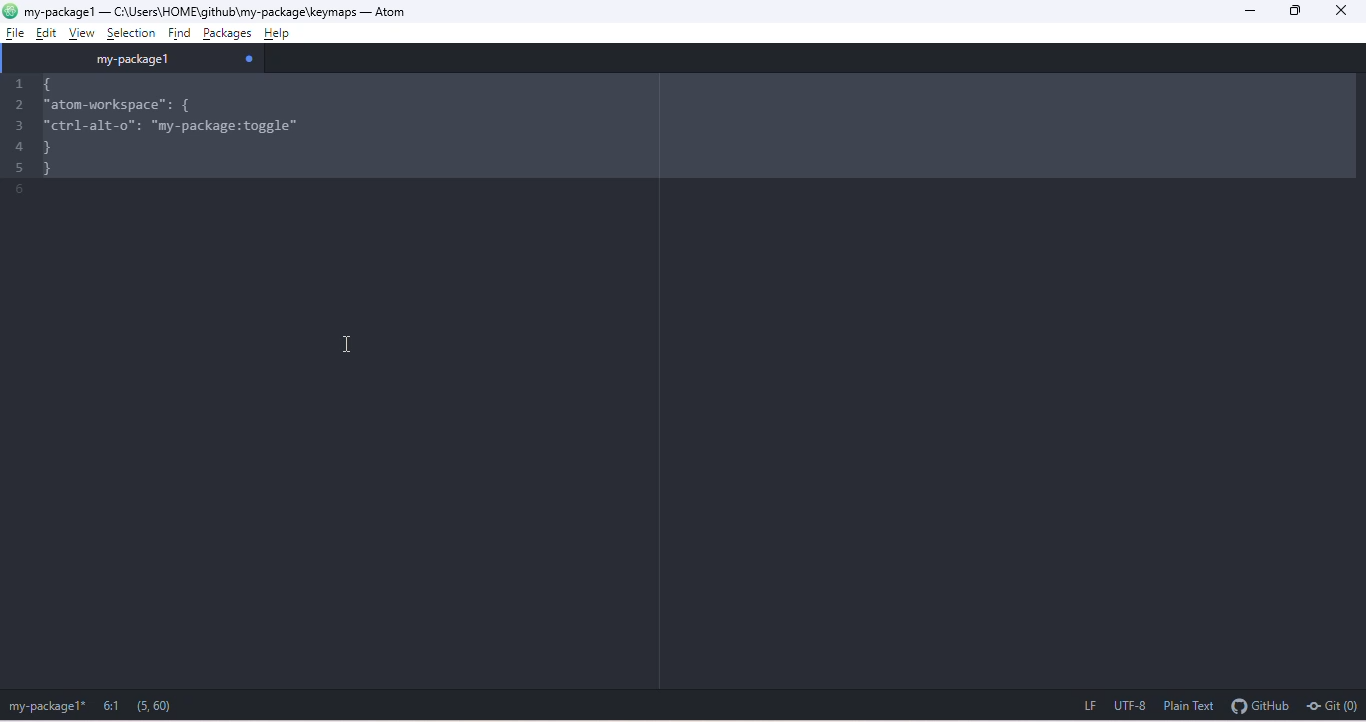 This screenshot has height=722, width=1366. I want to click on auto indentation done, so click(397, 127).